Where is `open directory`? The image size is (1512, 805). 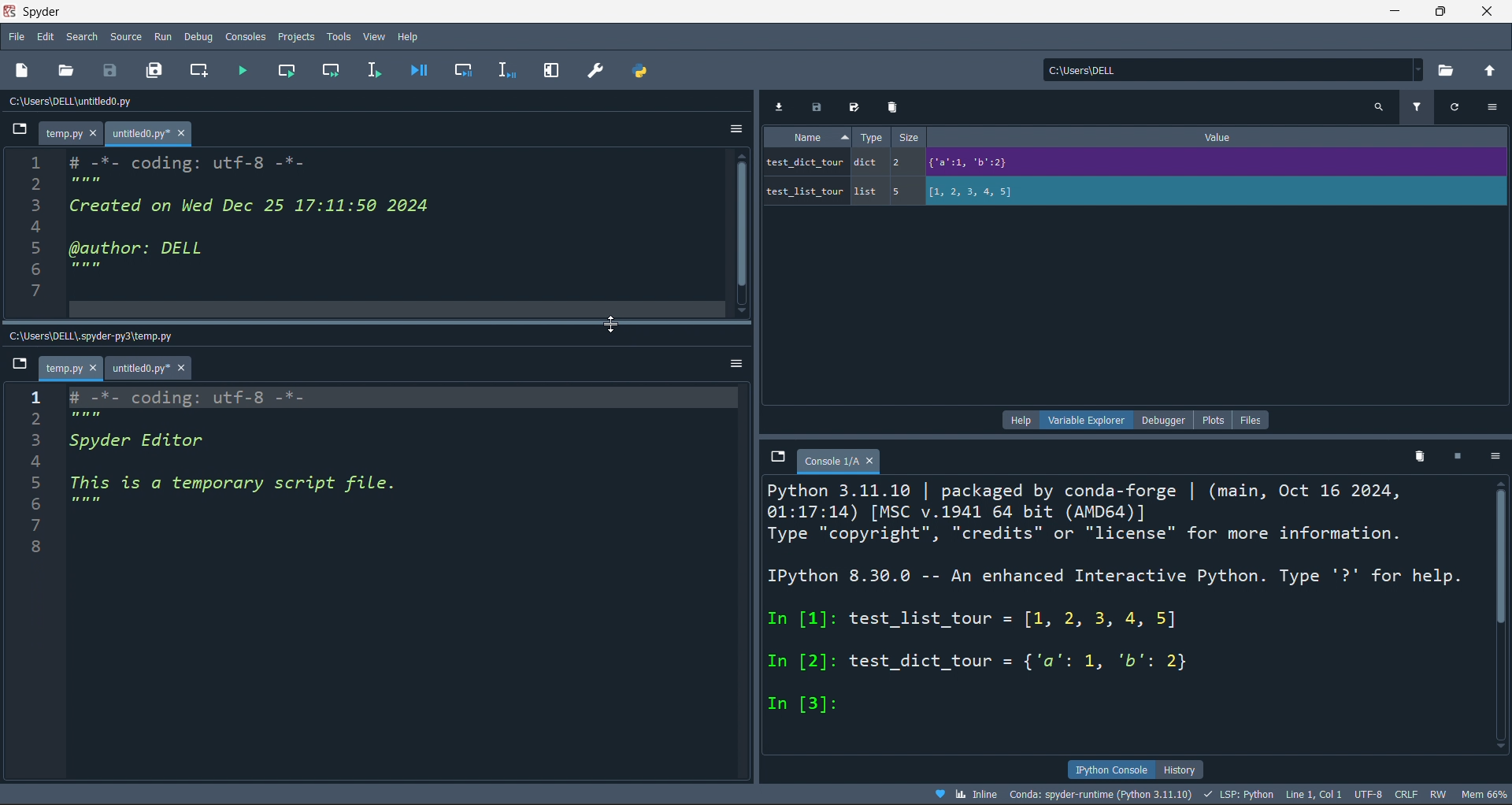 open directory is located at coordinates (1493, 71).